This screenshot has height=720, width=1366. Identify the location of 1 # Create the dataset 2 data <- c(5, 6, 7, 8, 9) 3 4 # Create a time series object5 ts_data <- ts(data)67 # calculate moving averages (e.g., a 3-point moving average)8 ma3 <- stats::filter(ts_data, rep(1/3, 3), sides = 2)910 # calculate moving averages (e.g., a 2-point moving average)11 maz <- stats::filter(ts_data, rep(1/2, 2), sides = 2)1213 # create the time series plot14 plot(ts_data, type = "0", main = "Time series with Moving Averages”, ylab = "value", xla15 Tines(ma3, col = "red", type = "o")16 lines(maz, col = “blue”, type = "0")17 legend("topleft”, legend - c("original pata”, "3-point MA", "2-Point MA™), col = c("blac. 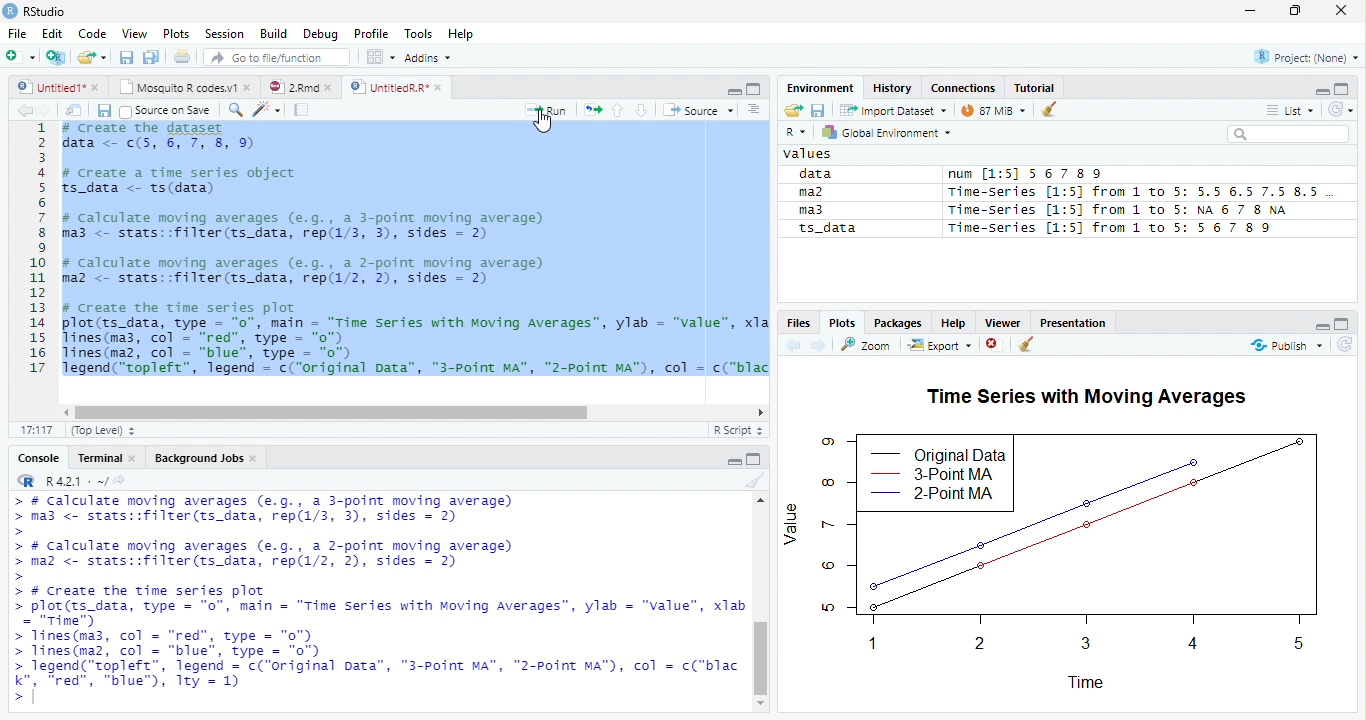
(396, 249).